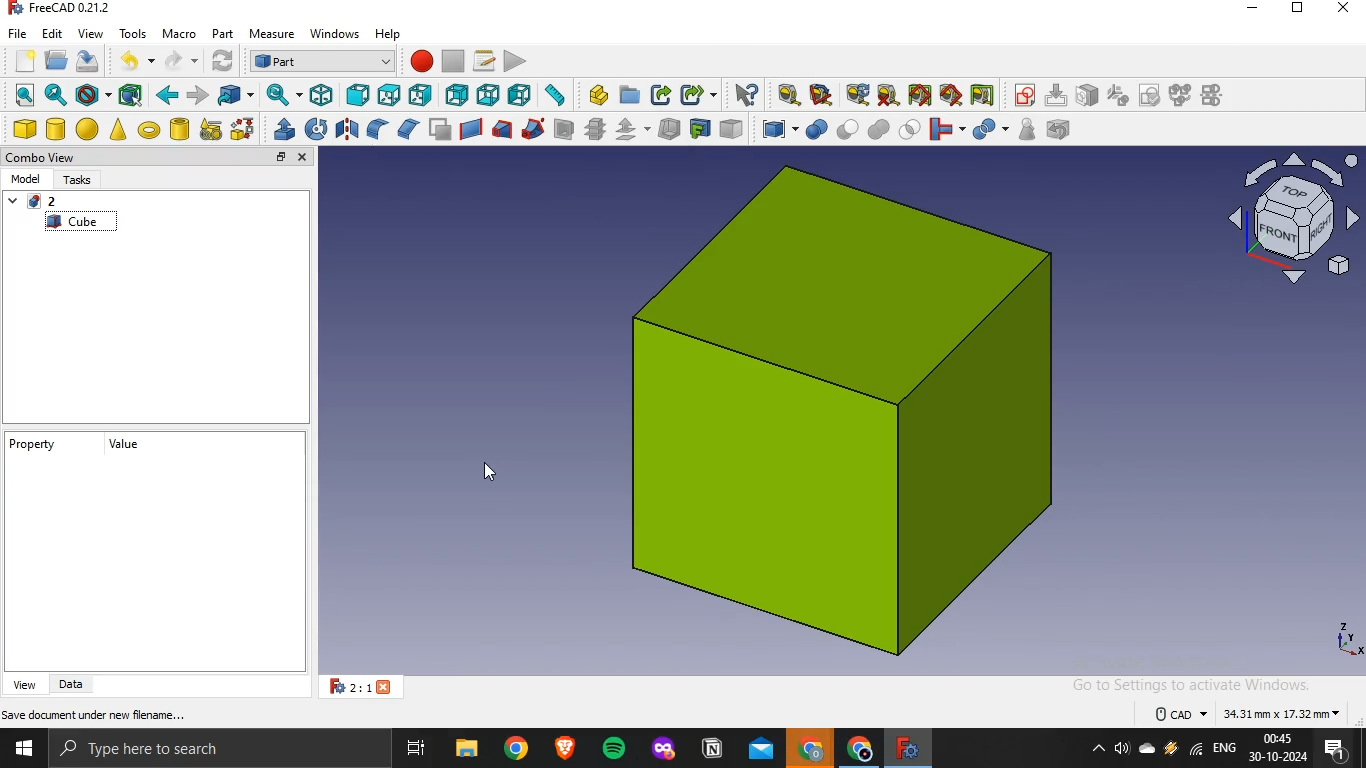 The height and width of the screenshot is (768, 1366). What do you see at coordinates (1342, 9) in the screenshot?
I see `close` at bounding box center [1342, 9].